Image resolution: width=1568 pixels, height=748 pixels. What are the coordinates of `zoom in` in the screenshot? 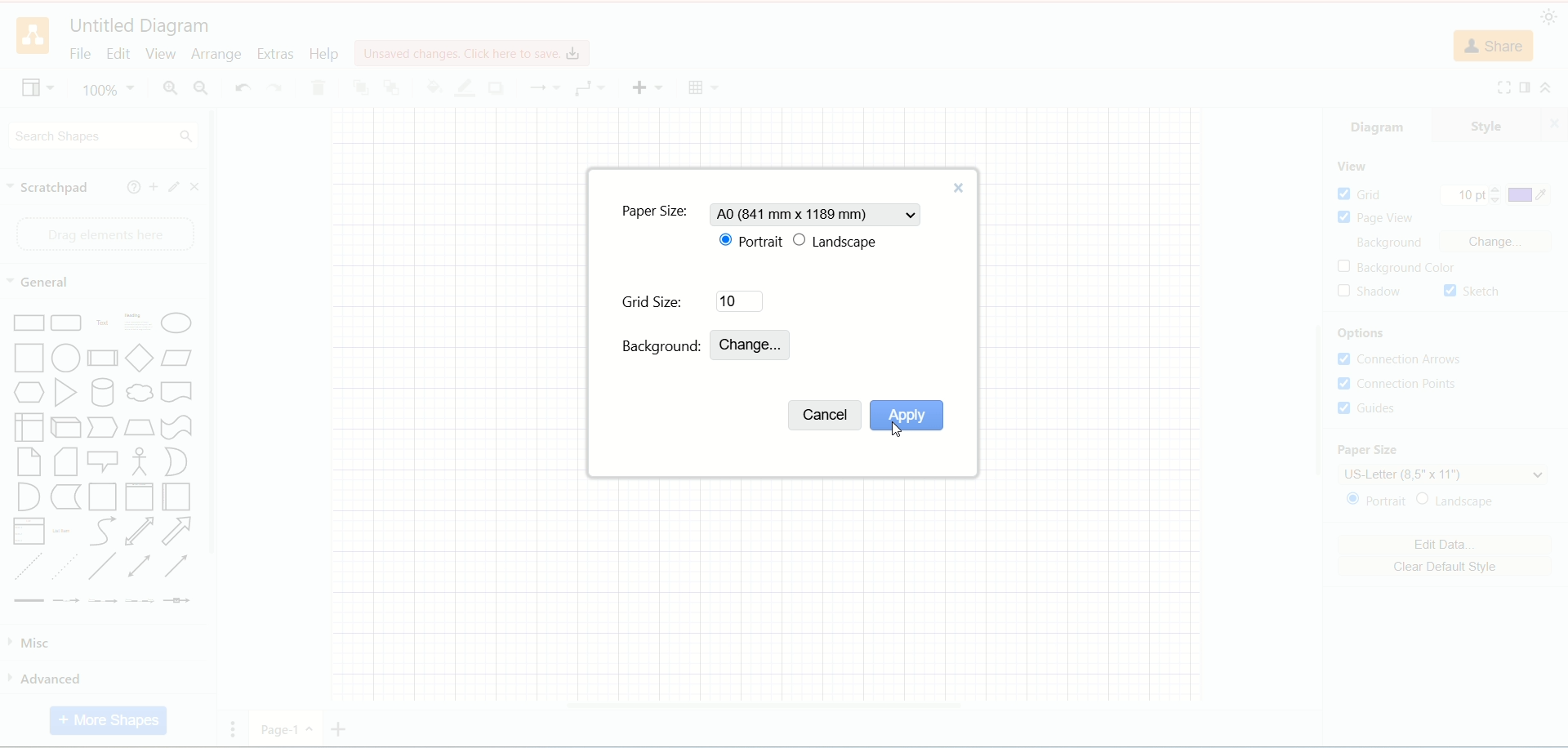 It's located at (167, 89).